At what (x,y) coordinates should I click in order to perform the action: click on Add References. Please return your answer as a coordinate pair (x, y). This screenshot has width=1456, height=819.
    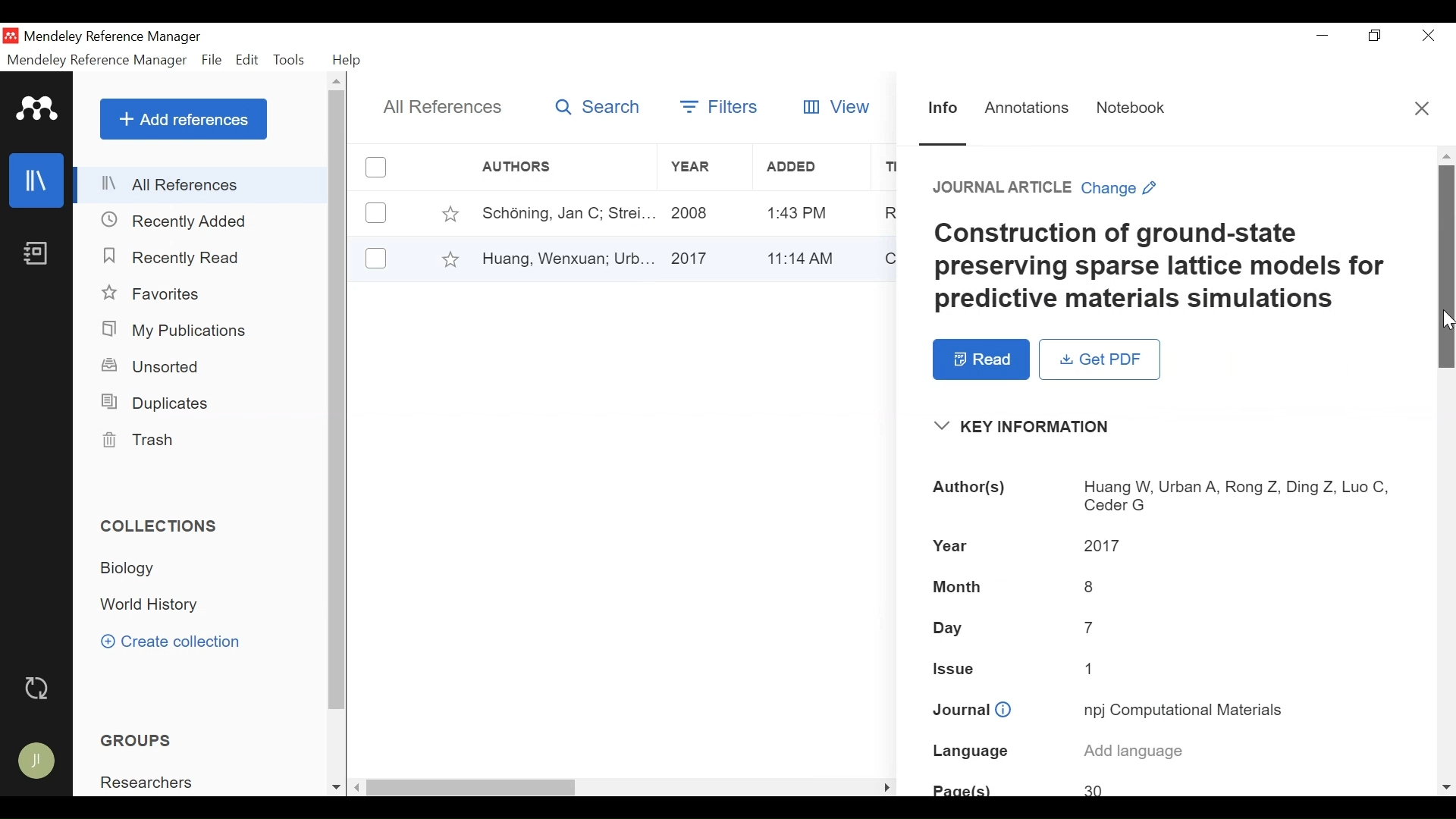
    Looking at the image, I should click on (184, 119).